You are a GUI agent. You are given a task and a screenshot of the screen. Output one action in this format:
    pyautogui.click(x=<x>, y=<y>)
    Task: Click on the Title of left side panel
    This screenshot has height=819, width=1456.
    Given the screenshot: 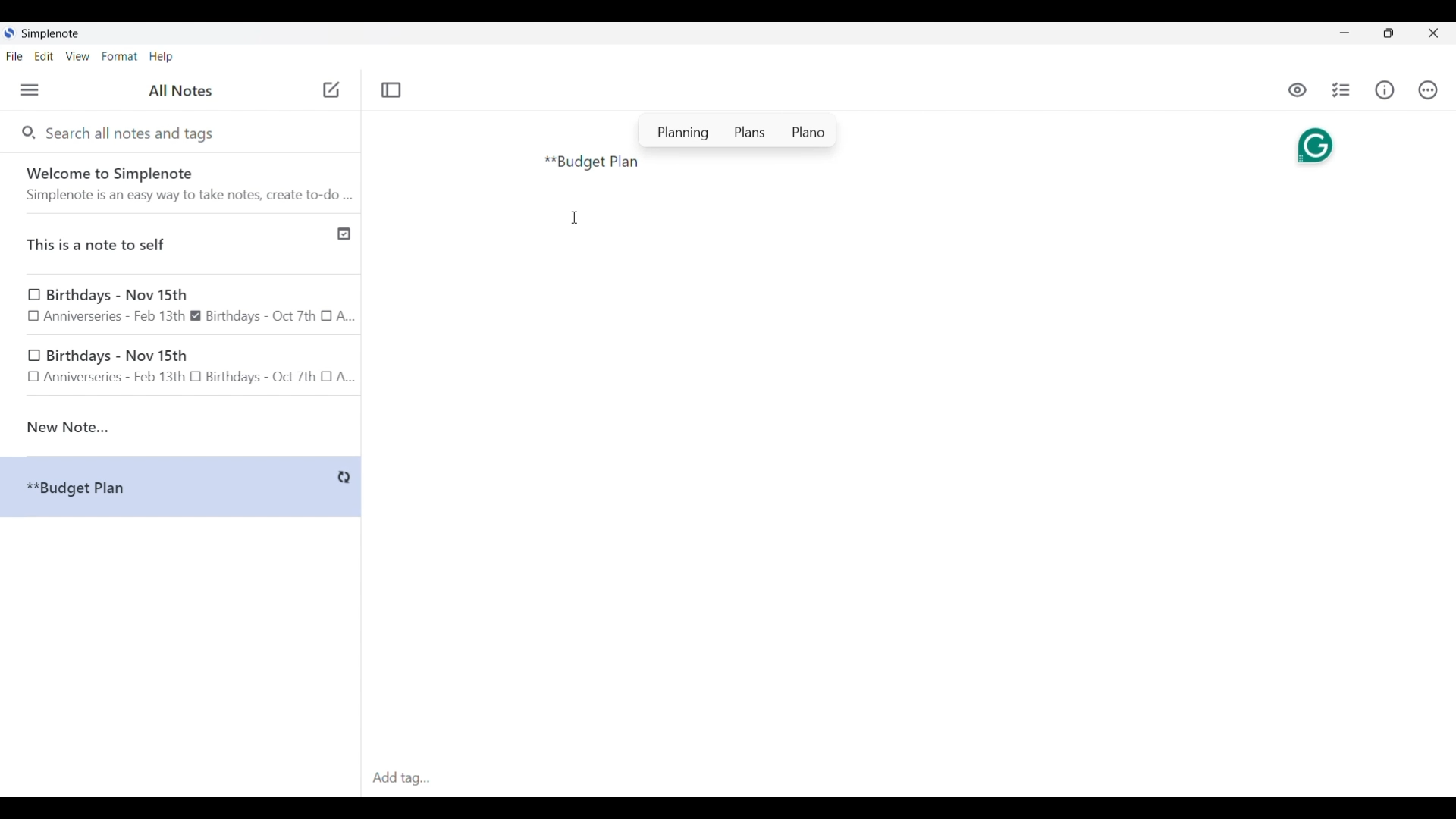 What is the action you would take?
    pyautogui.click(x=180, y=91)
    